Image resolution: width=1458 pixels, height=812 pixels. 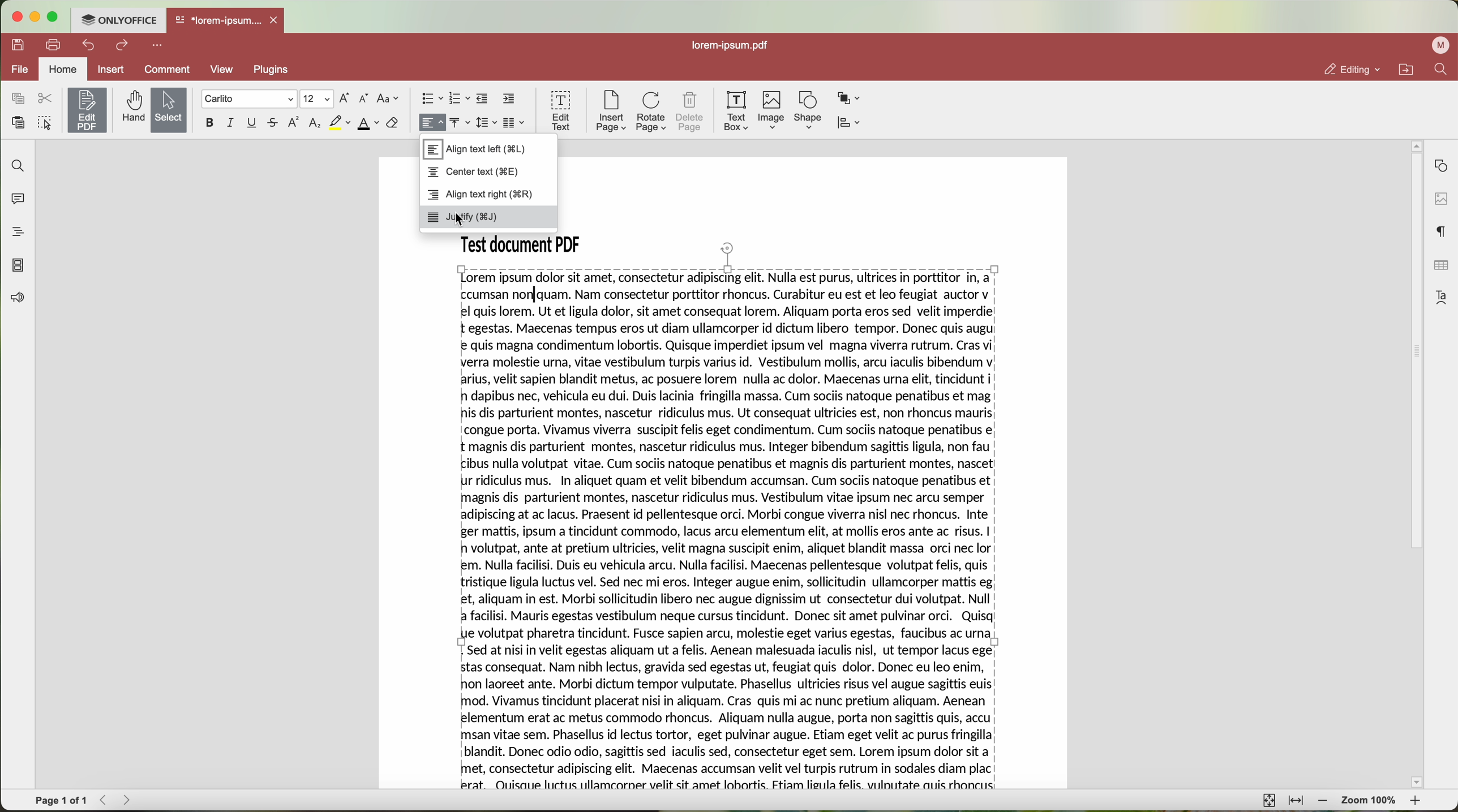 What do you see at coordinates (392, 124) in the screenshot?
I see `clear style` at bounding box center [392, 124].